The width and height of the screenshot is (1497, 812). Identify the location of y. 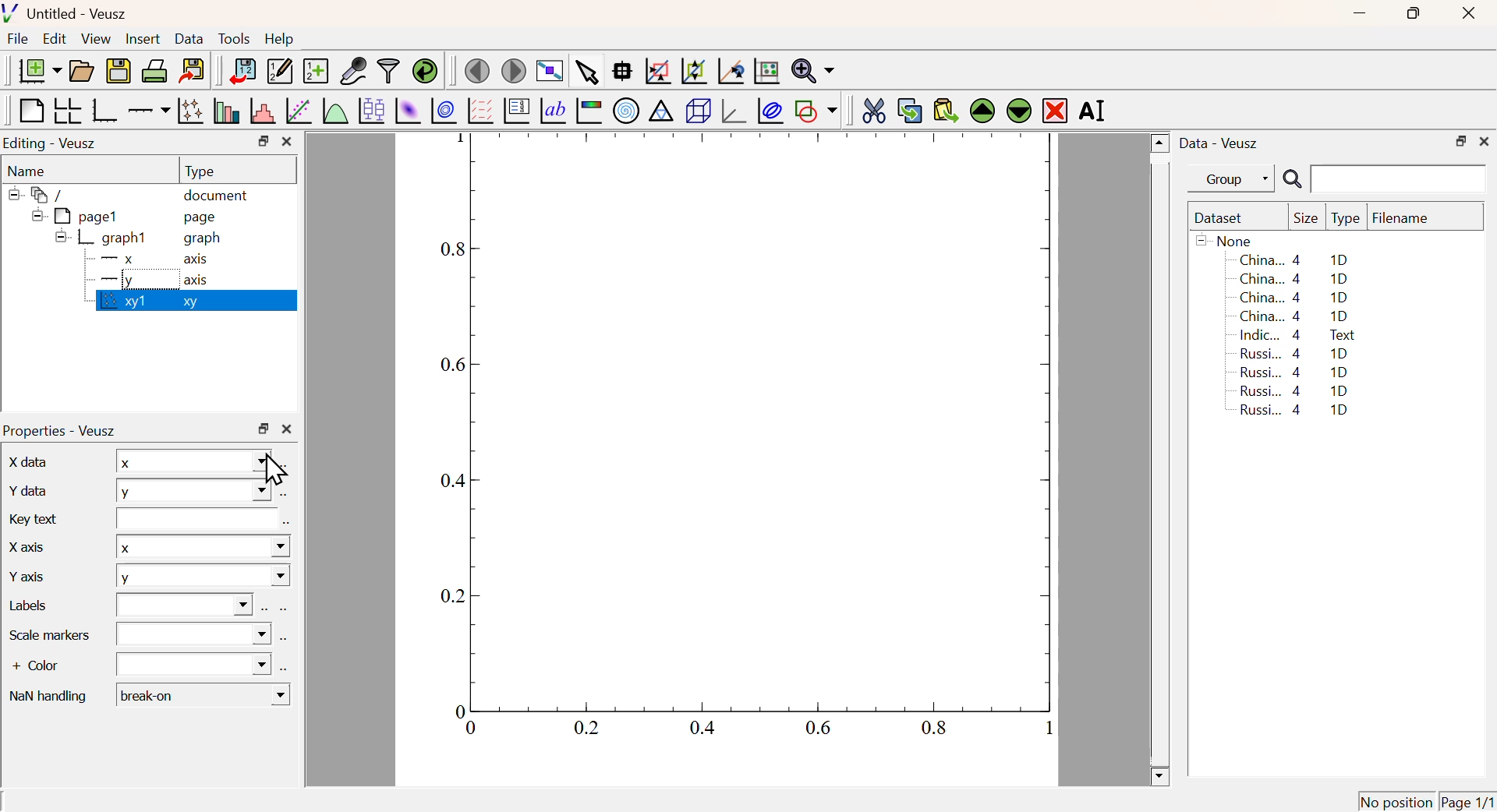
(193, 489).